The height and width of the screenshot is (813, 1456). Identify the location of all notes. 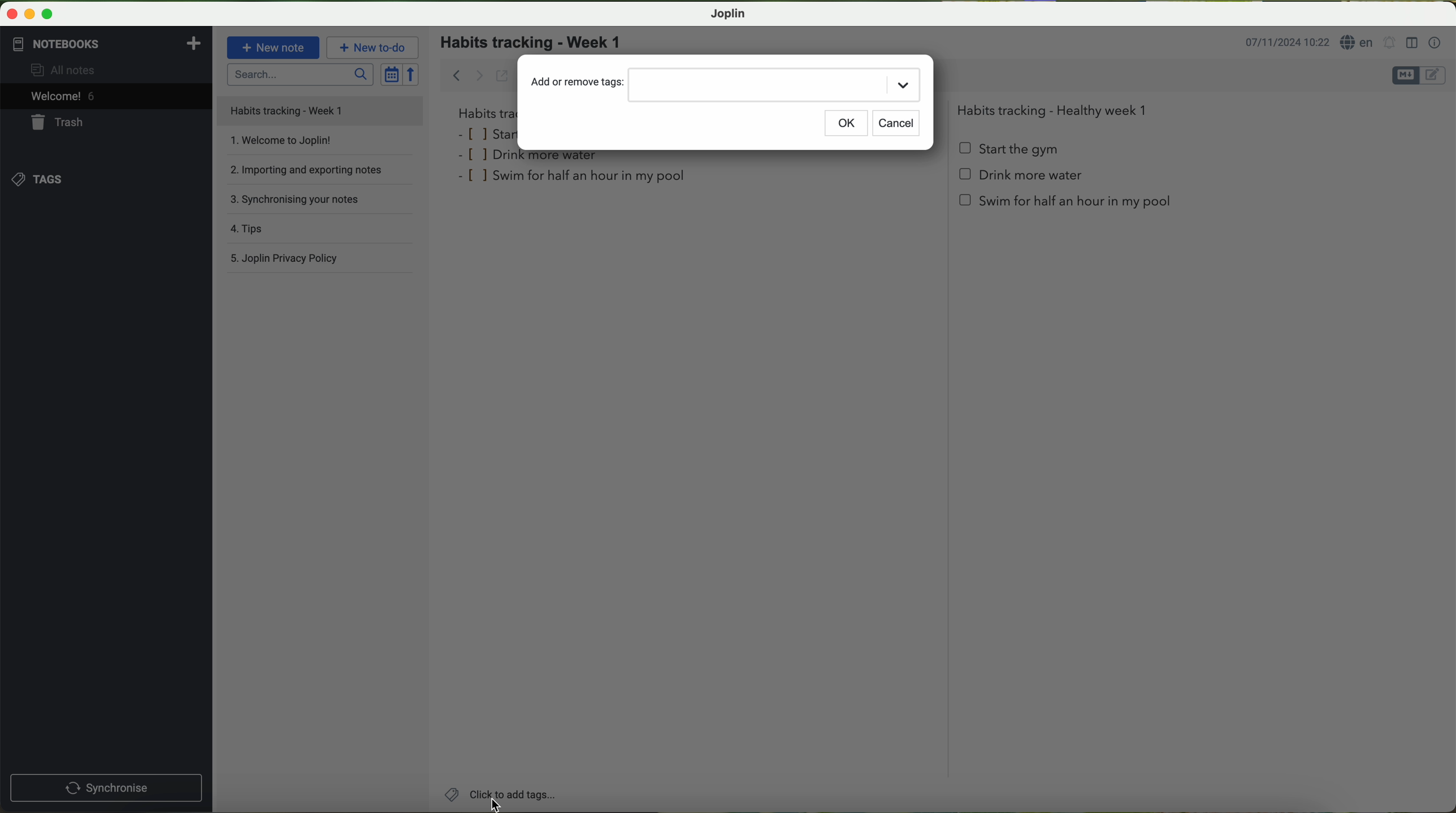
(66, 69).